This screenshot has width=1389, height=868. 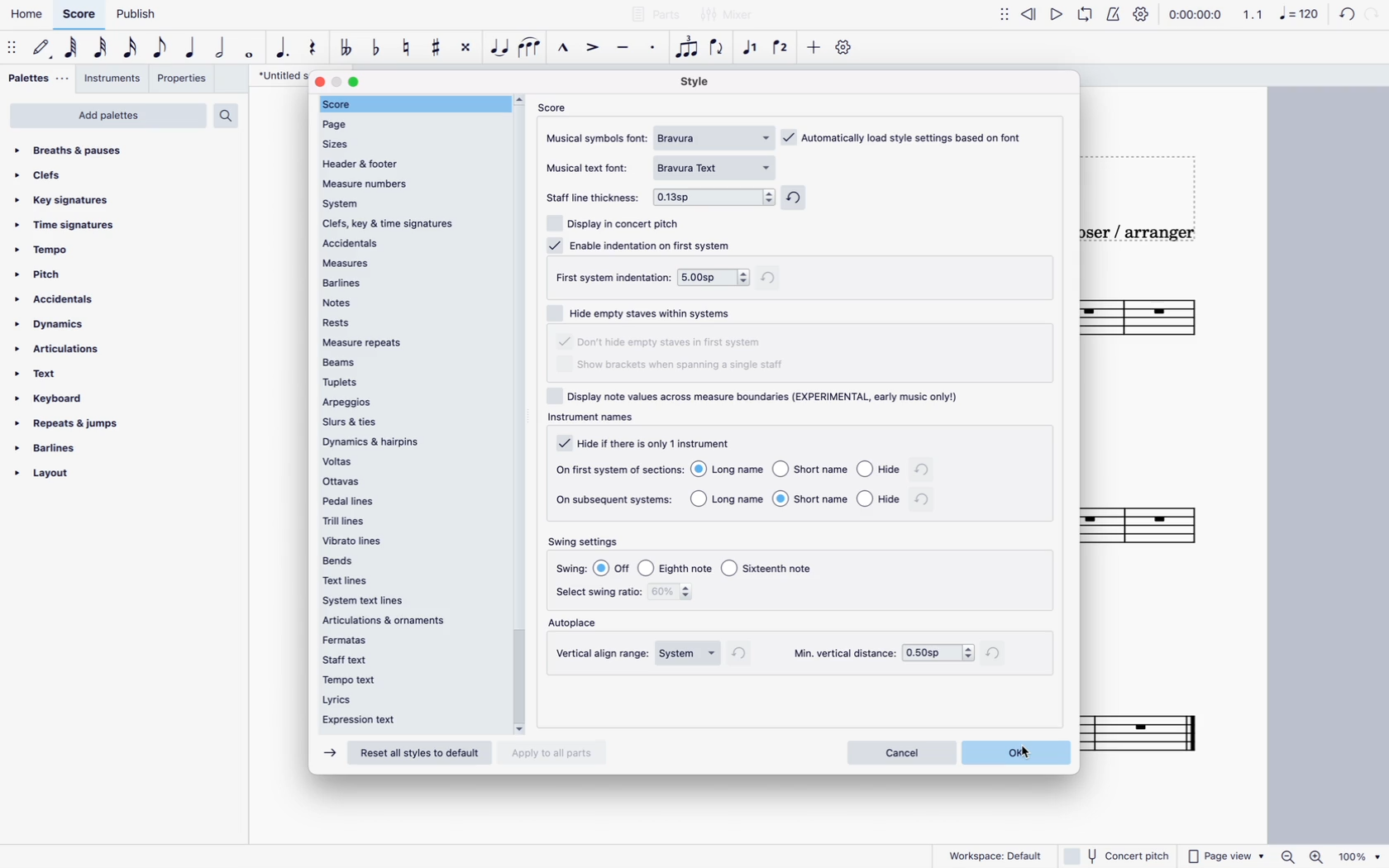 What do you see at coordinates (845, 50) in the screenshot?
I see `settings` at bounding box center [845, 50].